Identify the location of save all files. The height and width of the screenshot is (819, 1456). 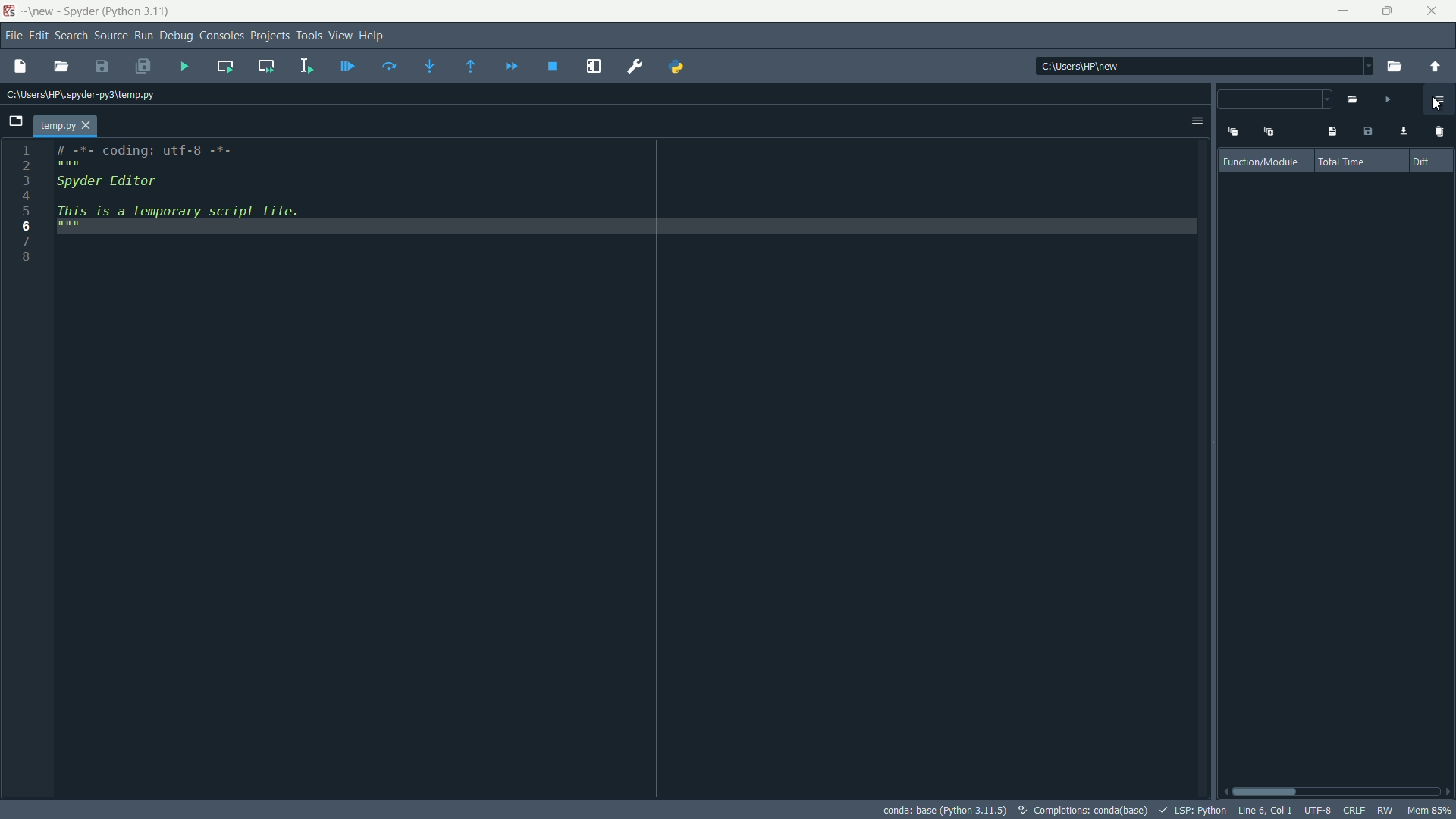
(143, 67).